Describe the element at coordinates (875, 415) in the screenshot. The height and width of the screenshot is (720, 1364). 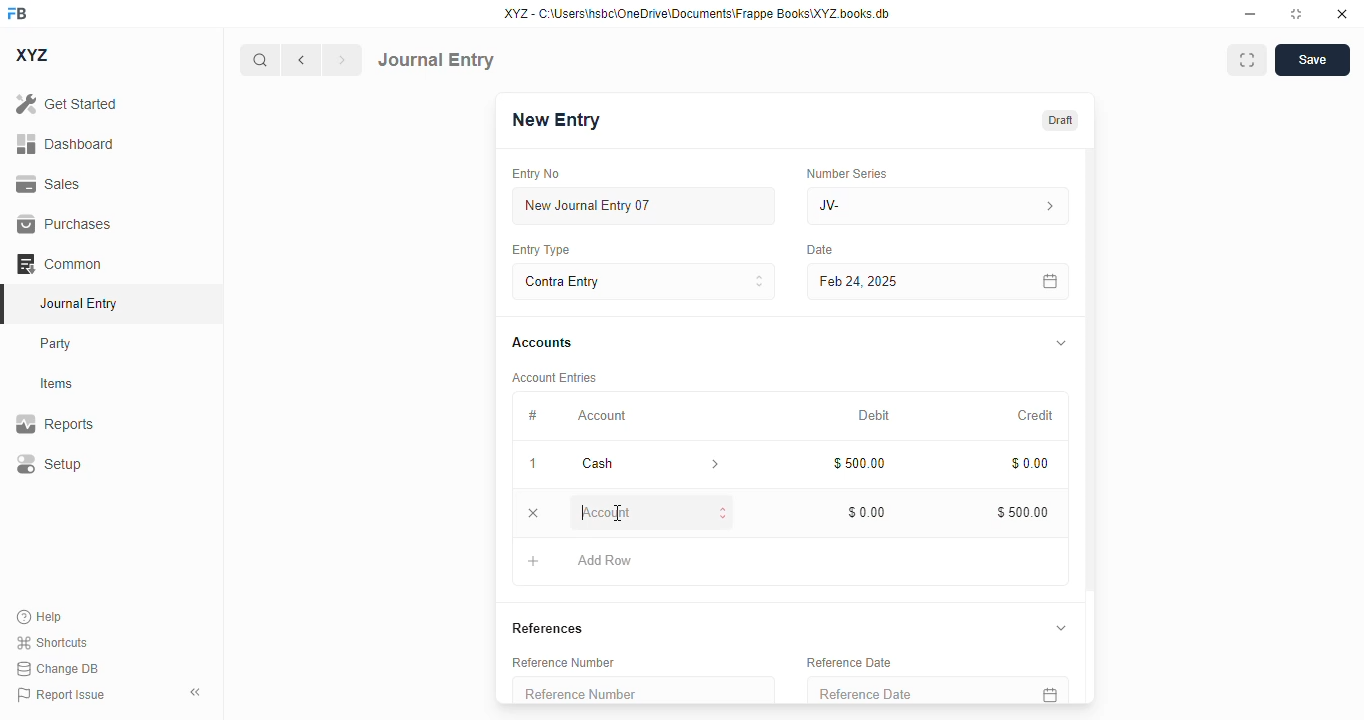
I see `debit` at that location.